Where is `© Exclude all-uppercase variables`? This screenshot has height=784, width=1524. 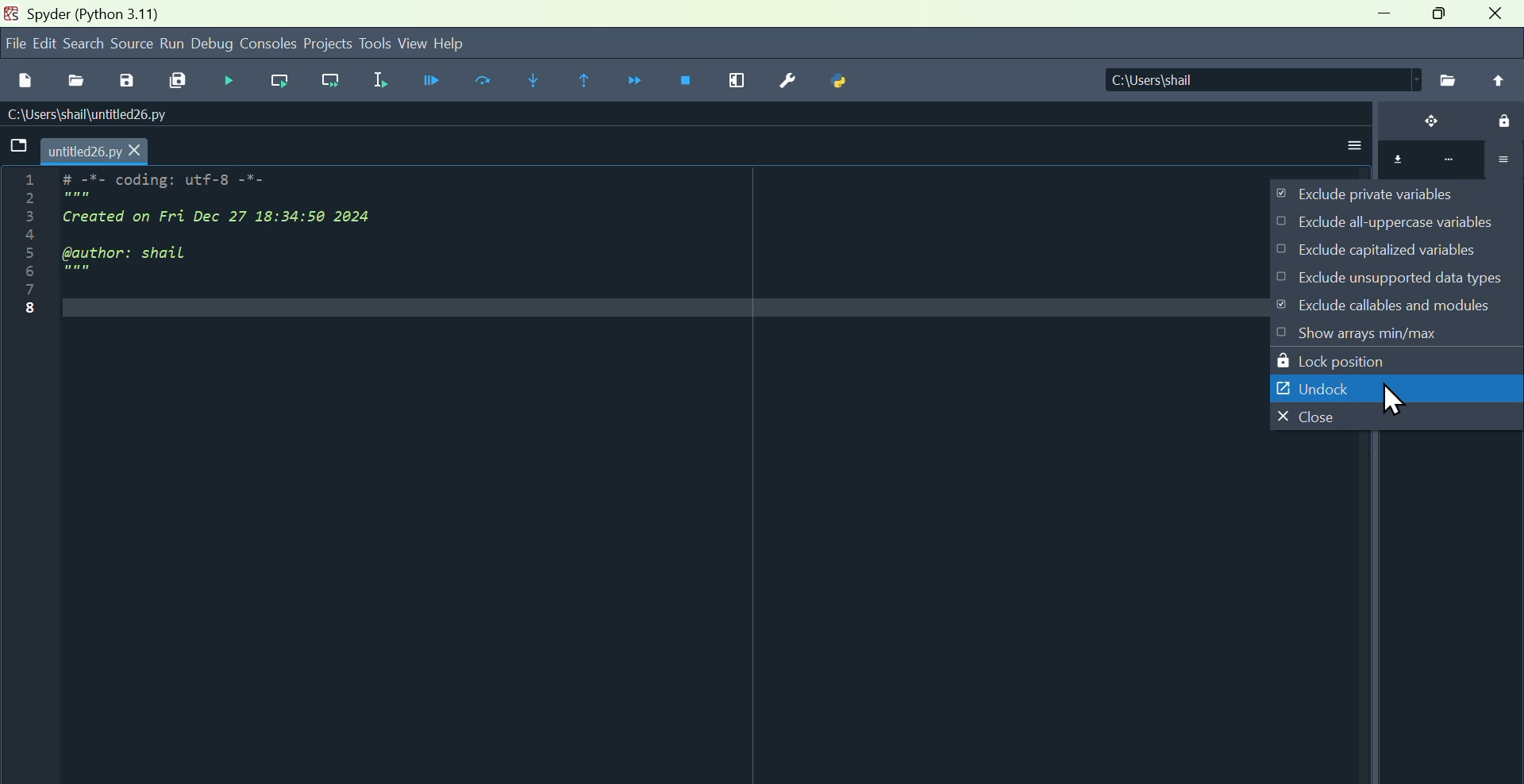
© Exclude all-uppercase variables is located at coordinates (1387, 224).